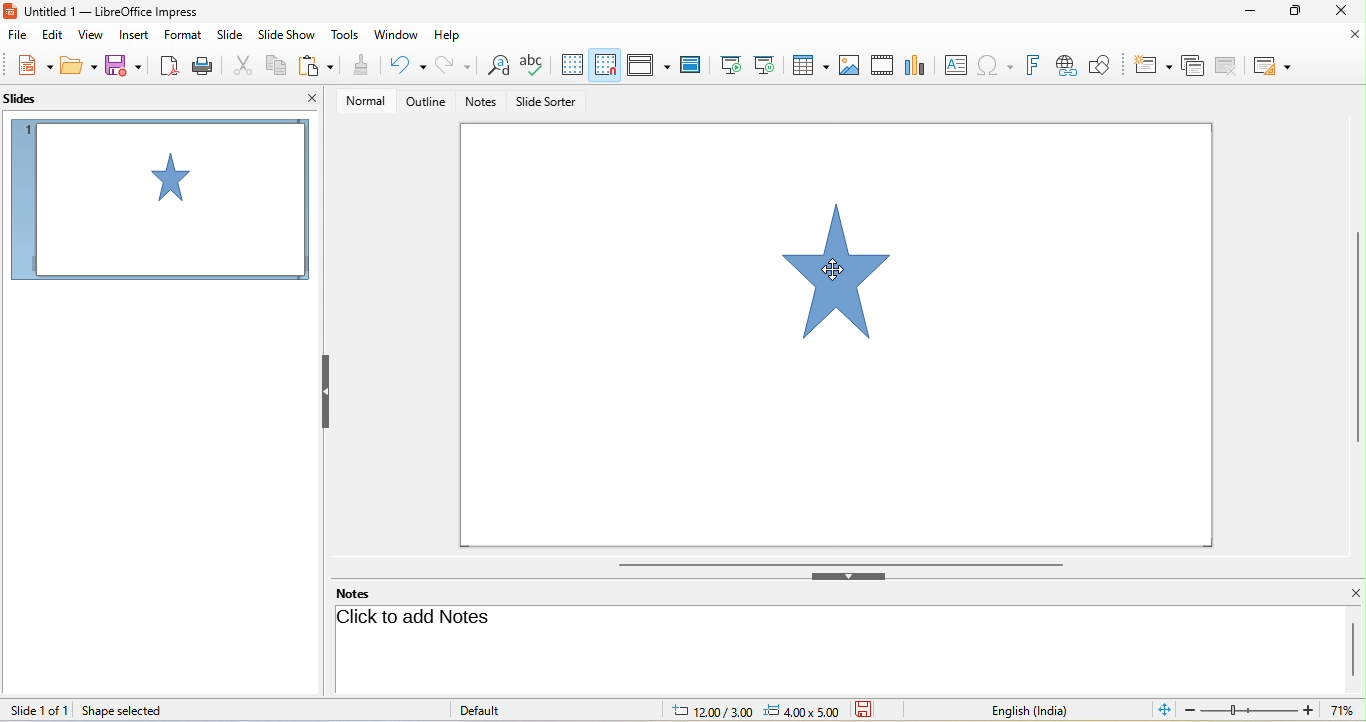 The height and width of the screenshot is (722, 1366). Describe the element at coordinates (88, 36) in the screenshot. I see `view` at that location.